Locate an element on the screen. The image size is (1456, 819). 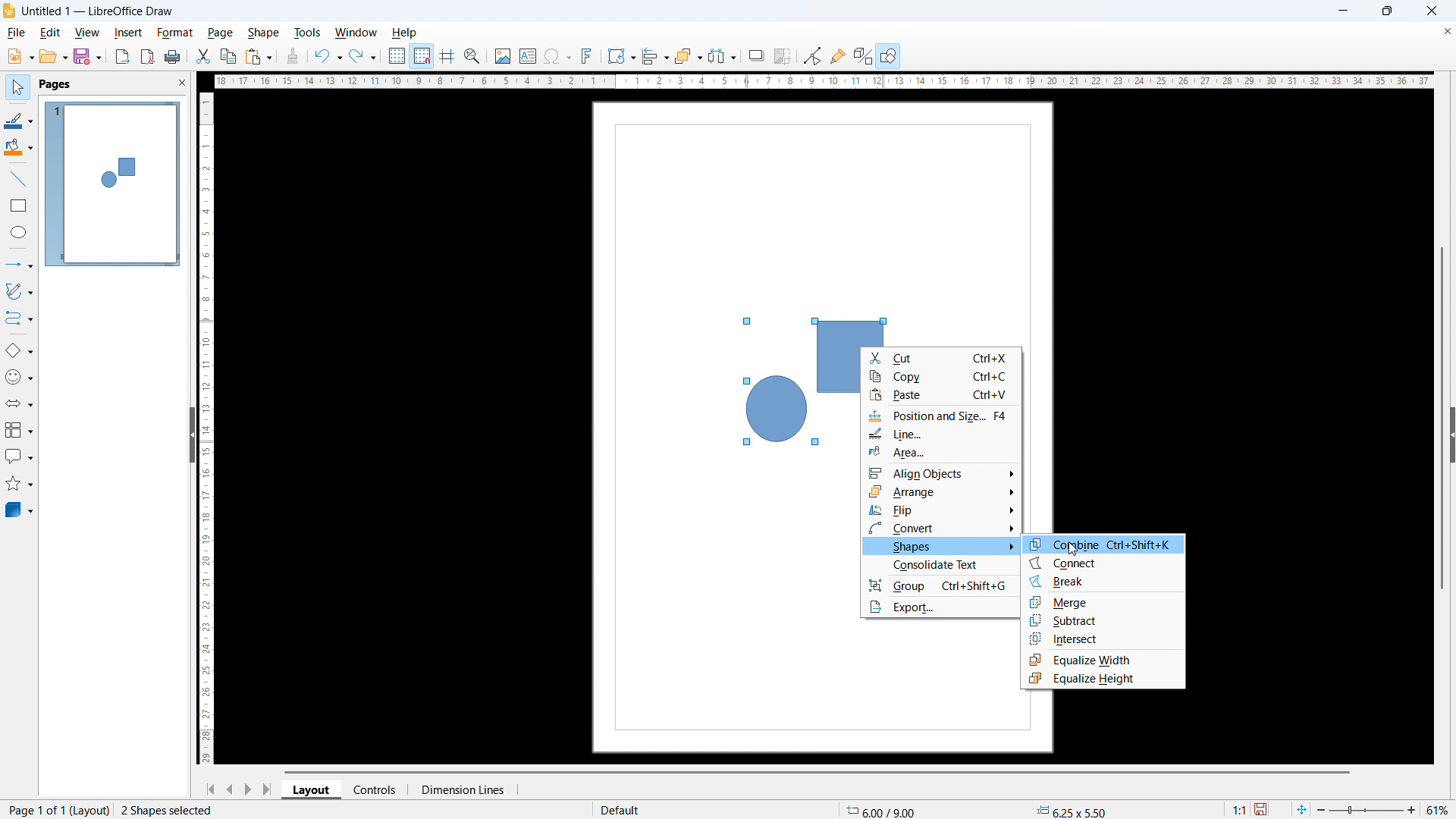
file is located at coordinates (17, 33).